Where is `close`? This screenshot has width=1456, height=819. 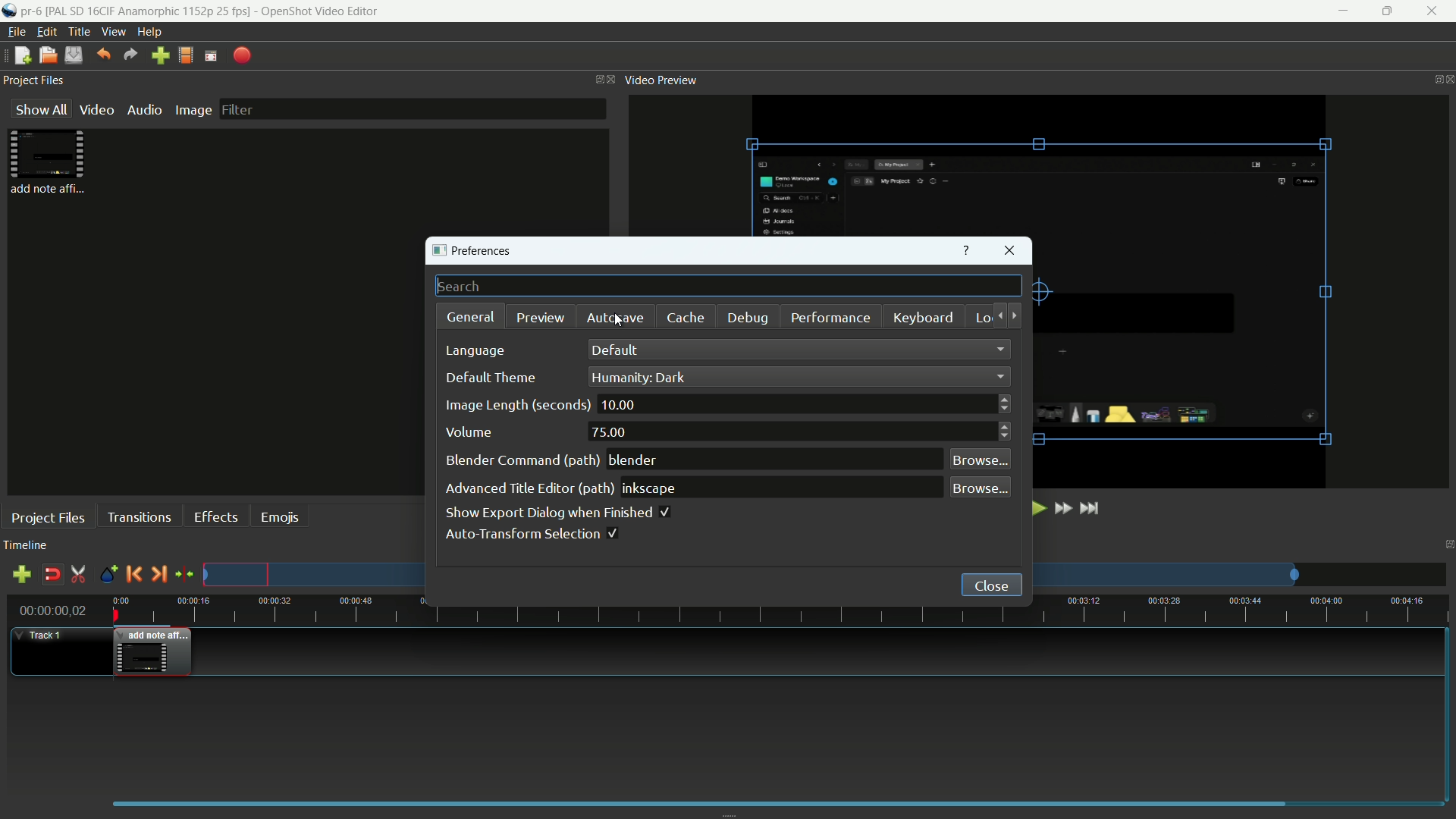
close is located at coordinates (991, 585).